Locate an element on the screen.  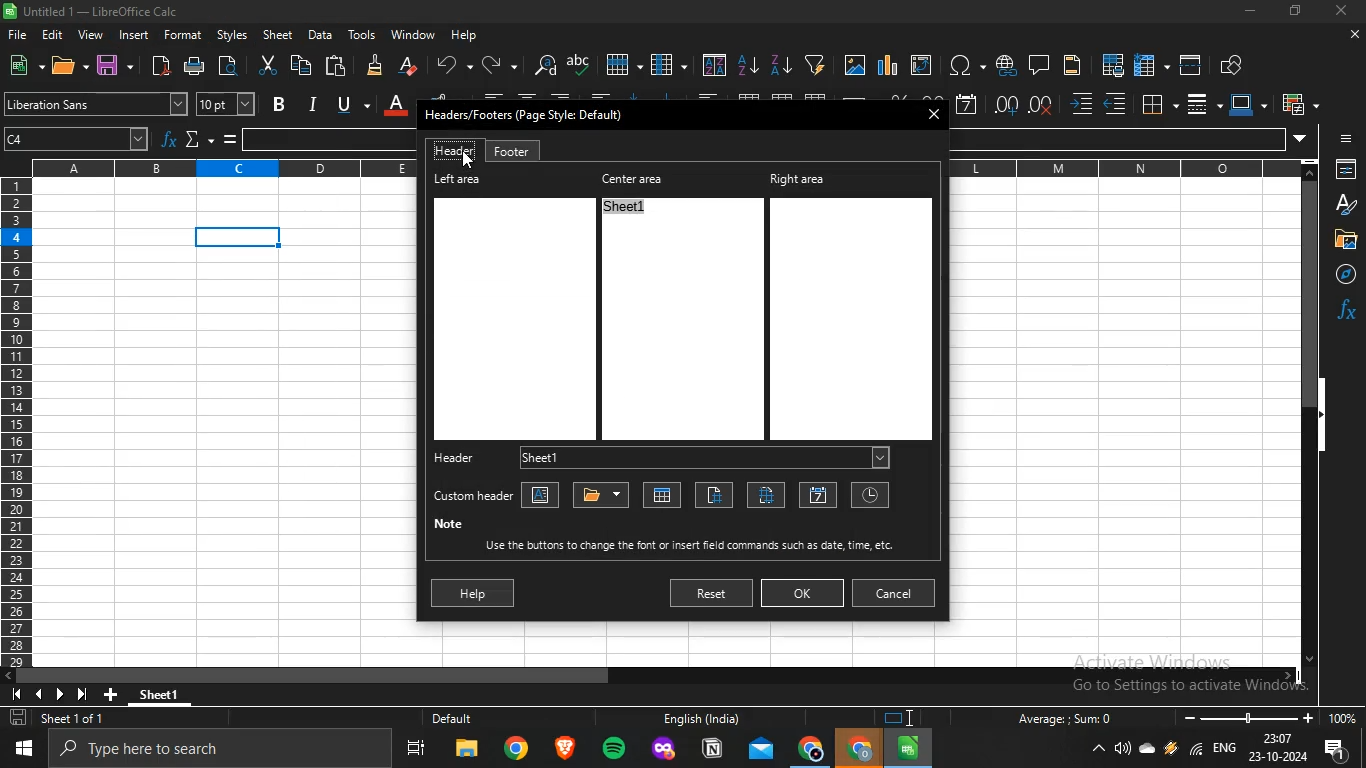
undo is located at coordinates (450, 63).